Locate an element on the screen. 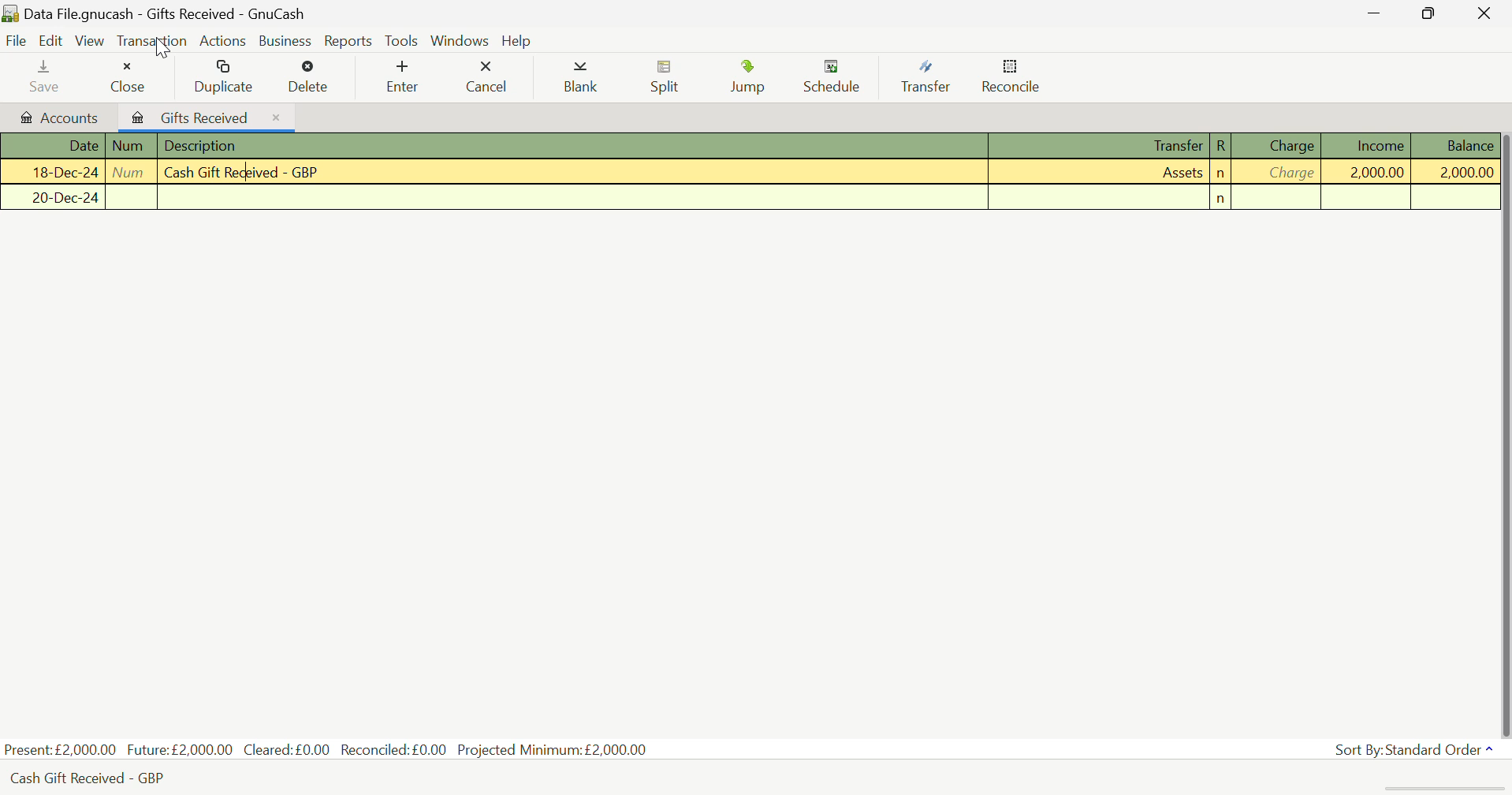  Restore Down is located at coordinates (1377, 13).